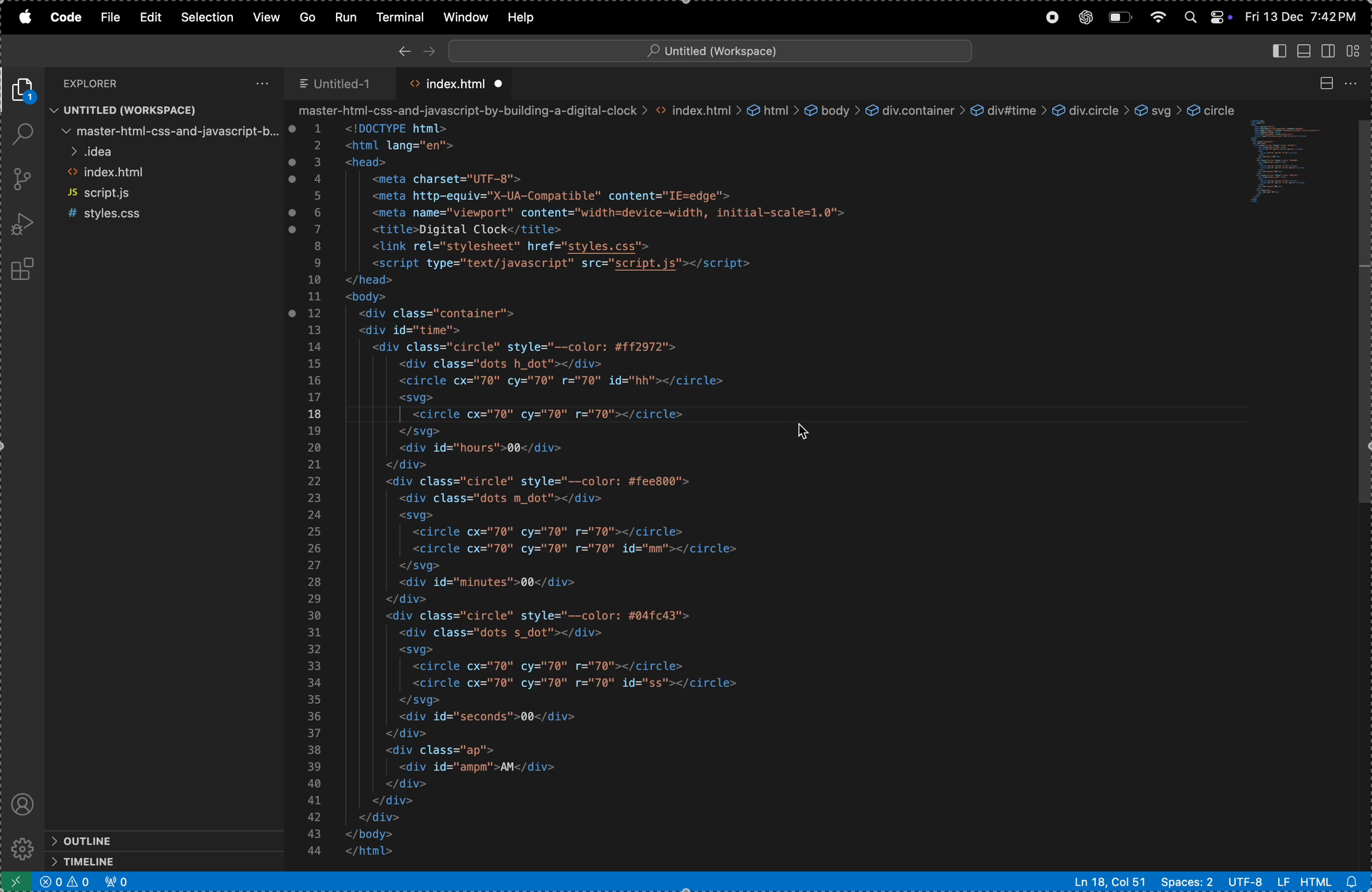  Describe the element at coordinates (404, 49) in the screenshot. I see `back ward` at that location.